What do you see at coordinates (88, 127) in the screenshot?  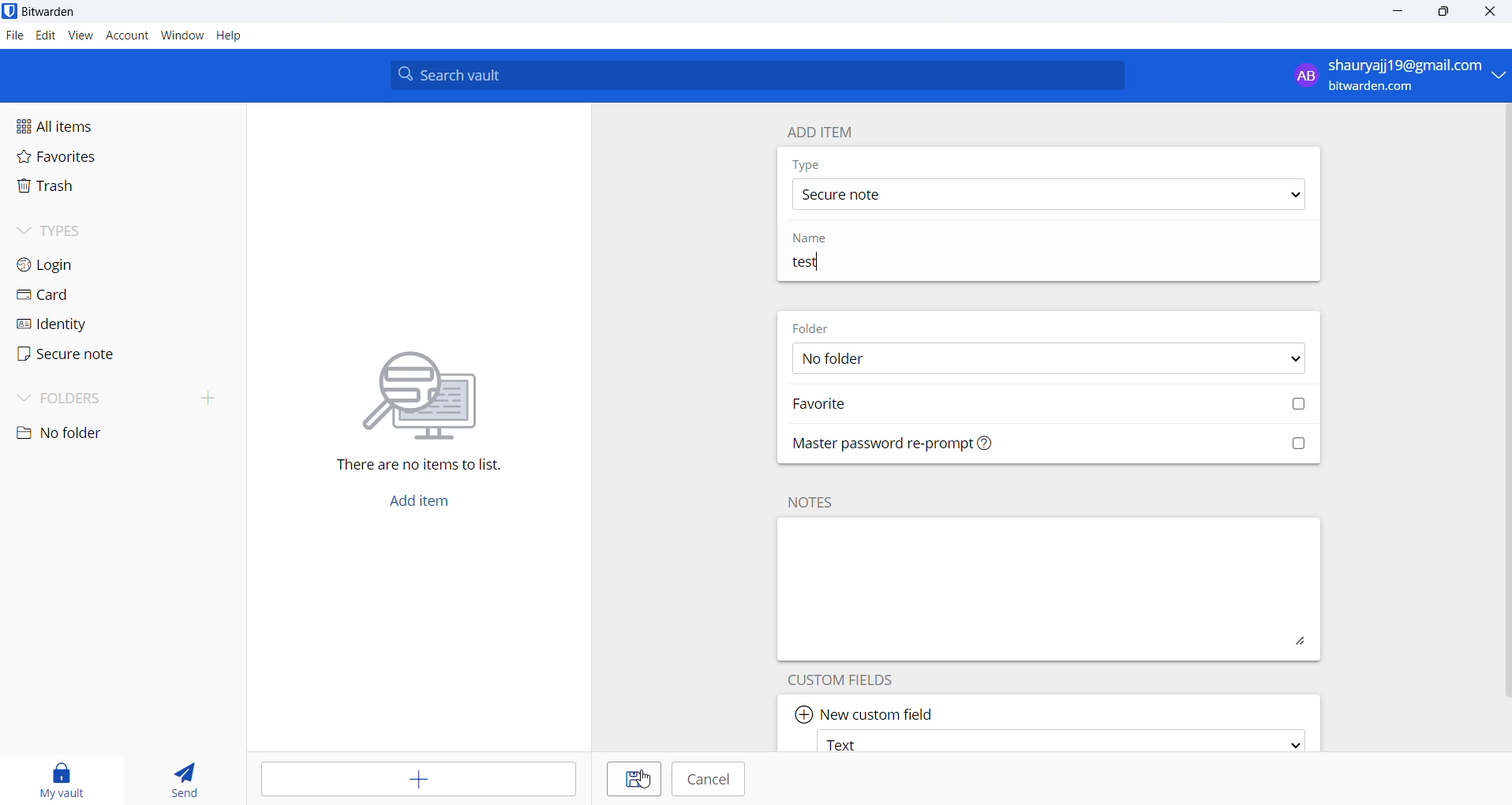 I see `all items` at bounding box center [88, 127].